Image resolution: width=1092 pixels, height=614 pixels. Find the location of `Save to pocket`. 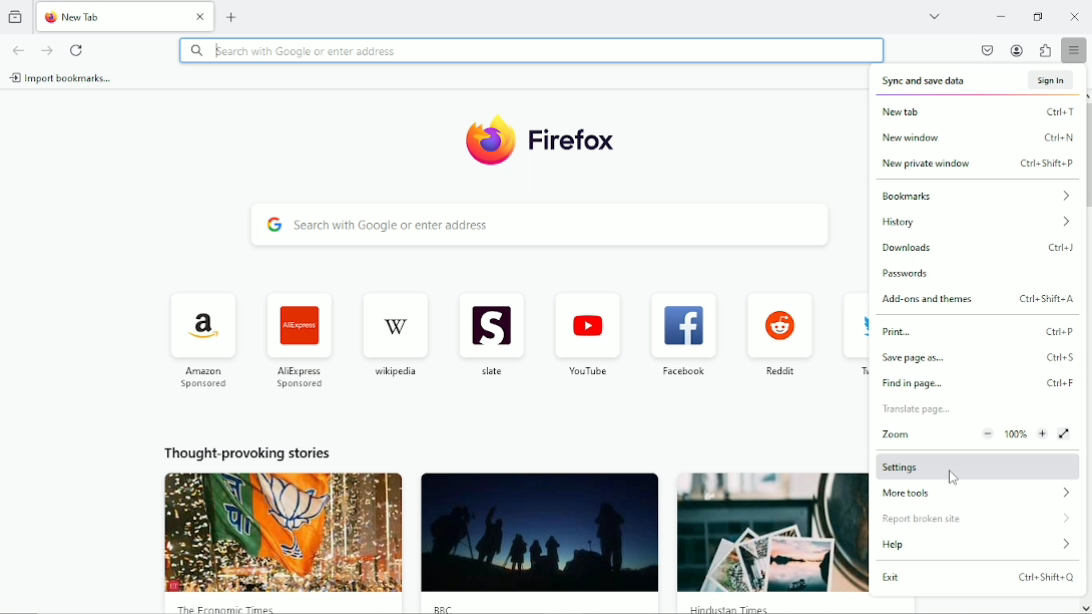

Save to pocket is located at coordinates (987, 50).